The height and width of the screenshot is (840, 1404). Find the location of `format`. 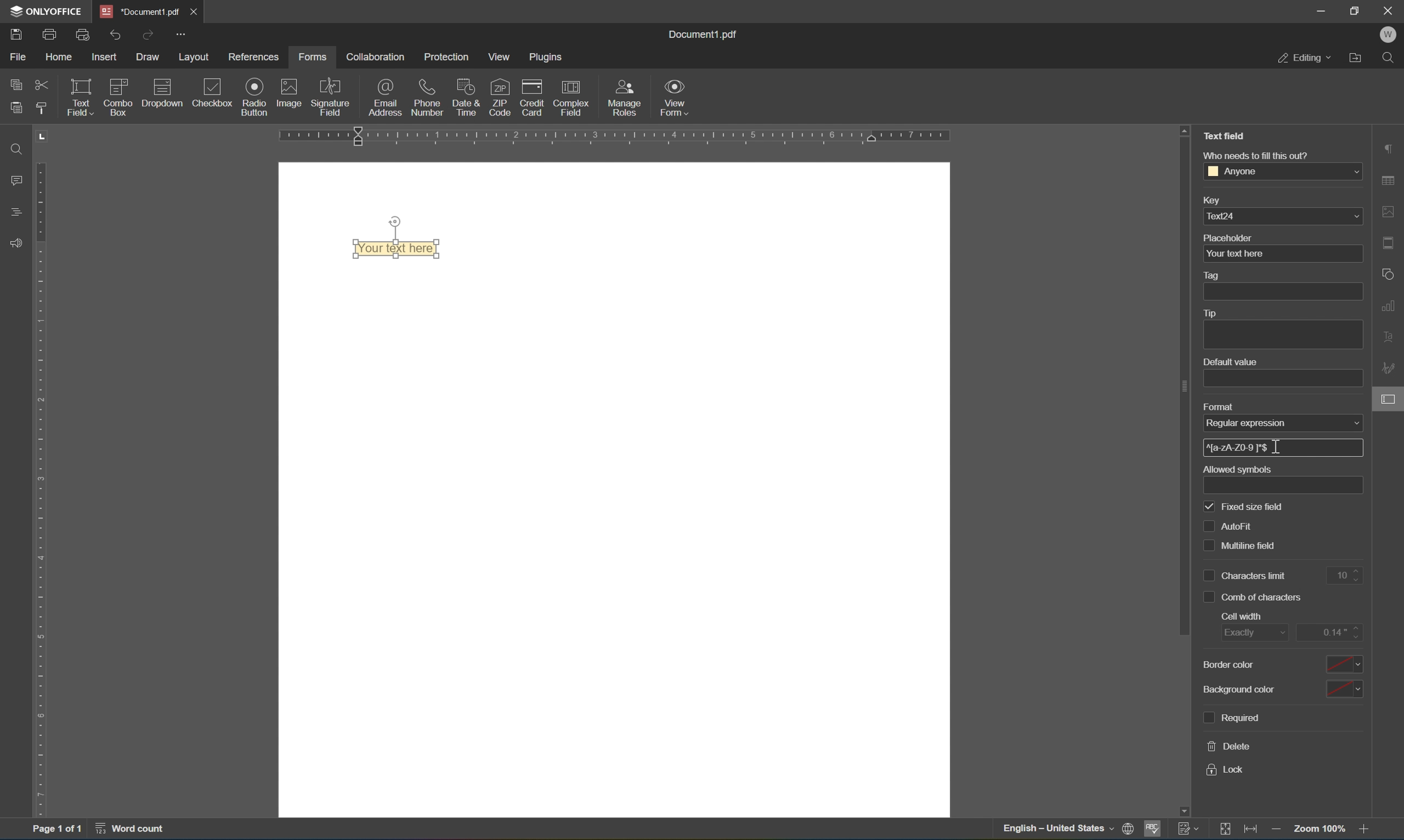

format is located at coordinates (1219, 408).